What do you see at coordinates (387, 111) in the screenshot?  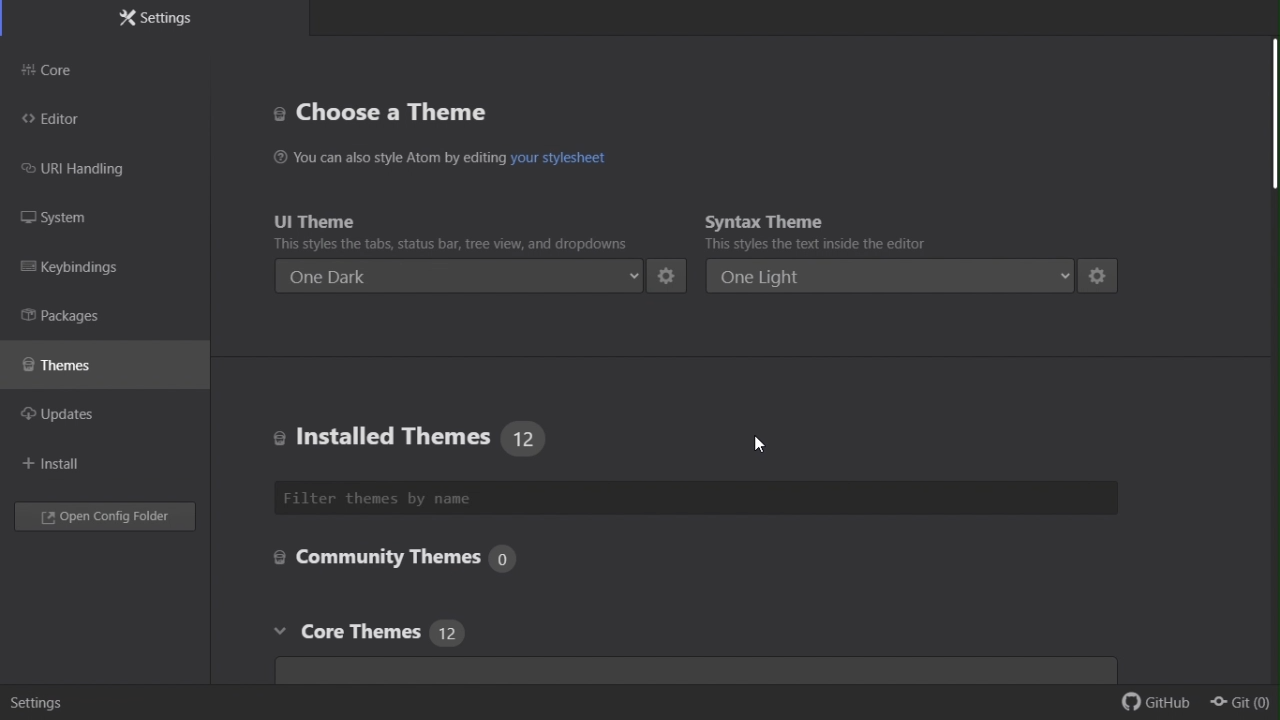 I see `Choose a thing` at bounding box center [387, 111].